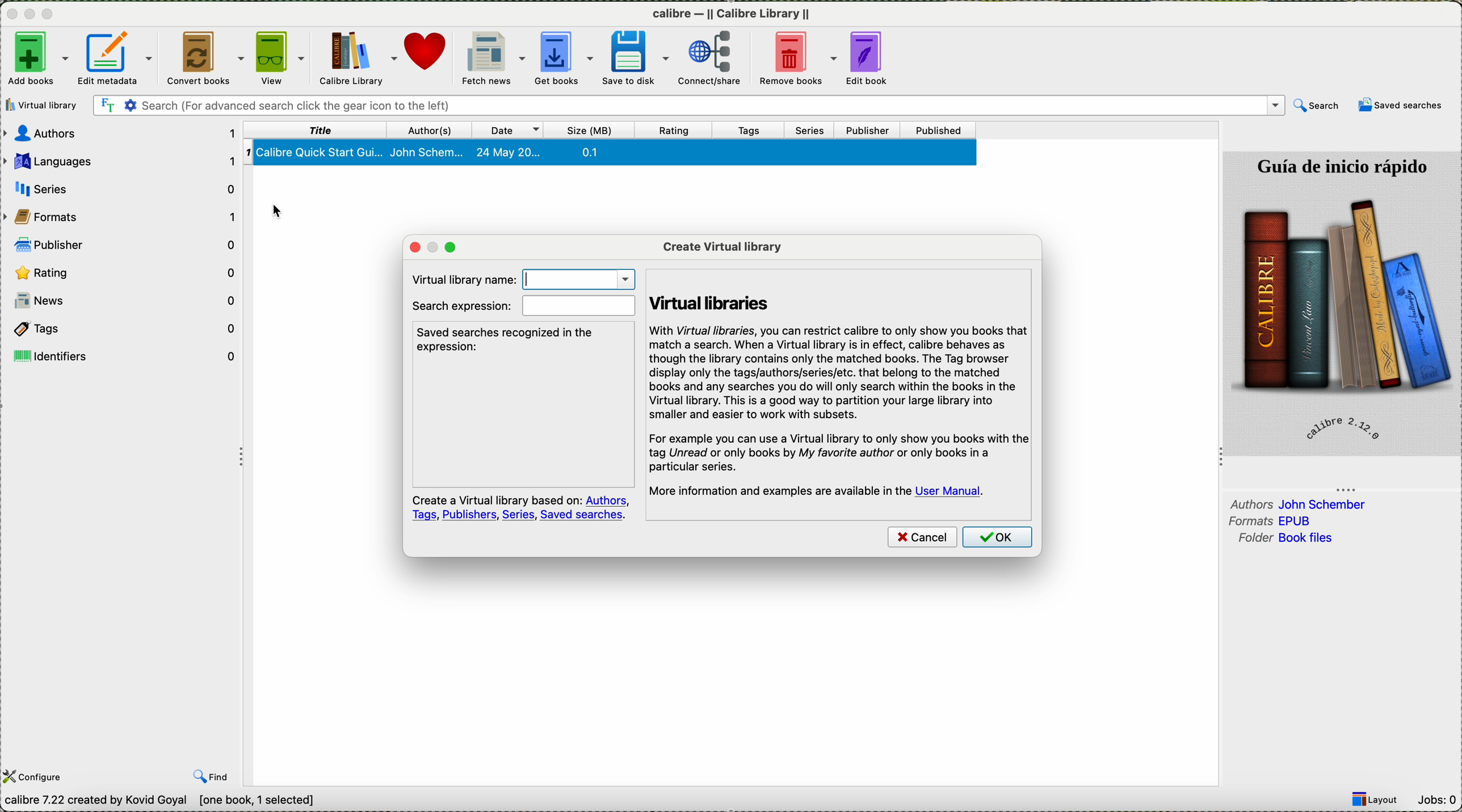 This screenshot has width=1462, height=812. What do you see at coordinates (123, 135) in the screenshot?
I see `authors` at bounding box center [123, 135].